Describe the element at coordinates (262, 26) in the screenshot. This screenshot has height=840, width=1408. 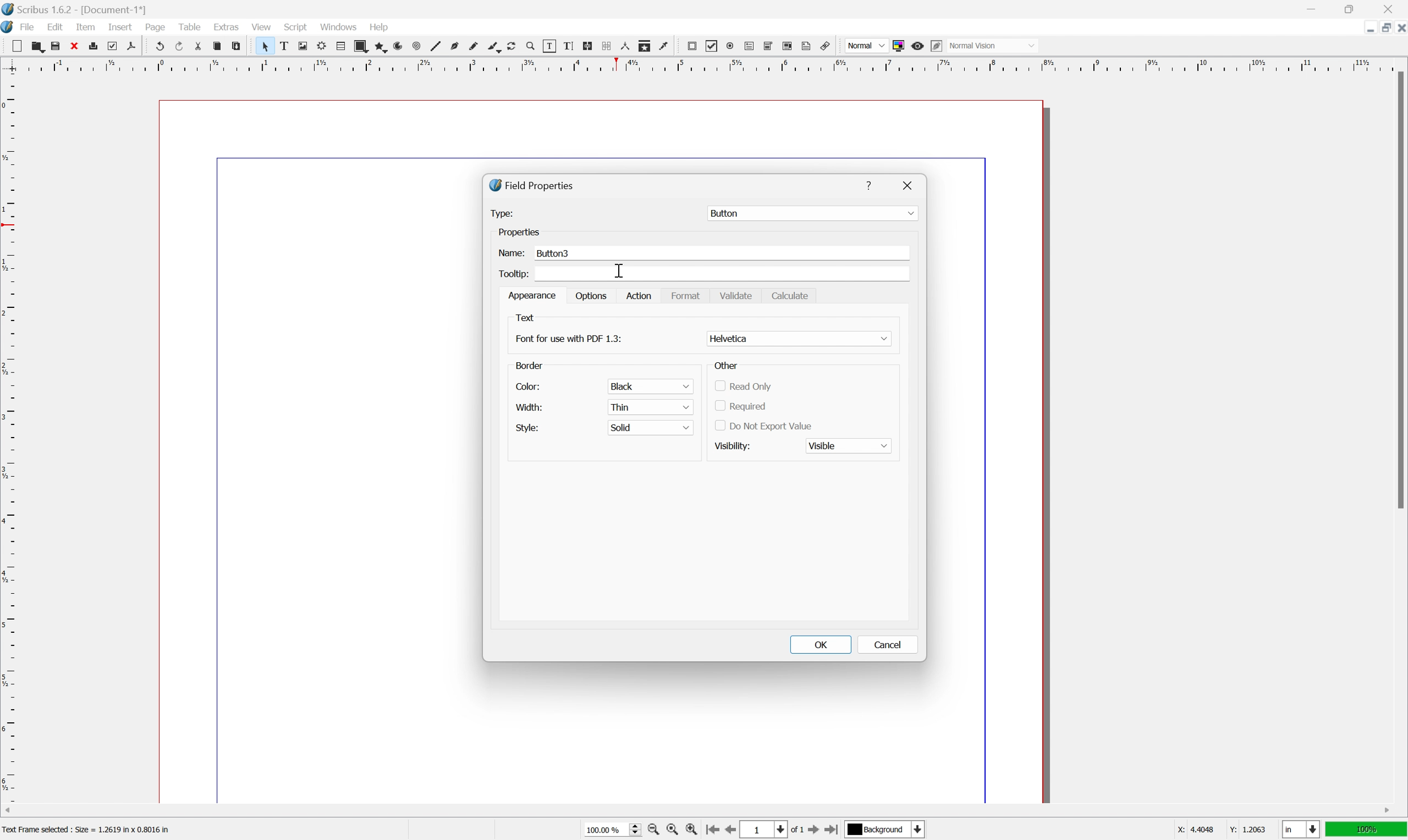
I see `view` at that location.